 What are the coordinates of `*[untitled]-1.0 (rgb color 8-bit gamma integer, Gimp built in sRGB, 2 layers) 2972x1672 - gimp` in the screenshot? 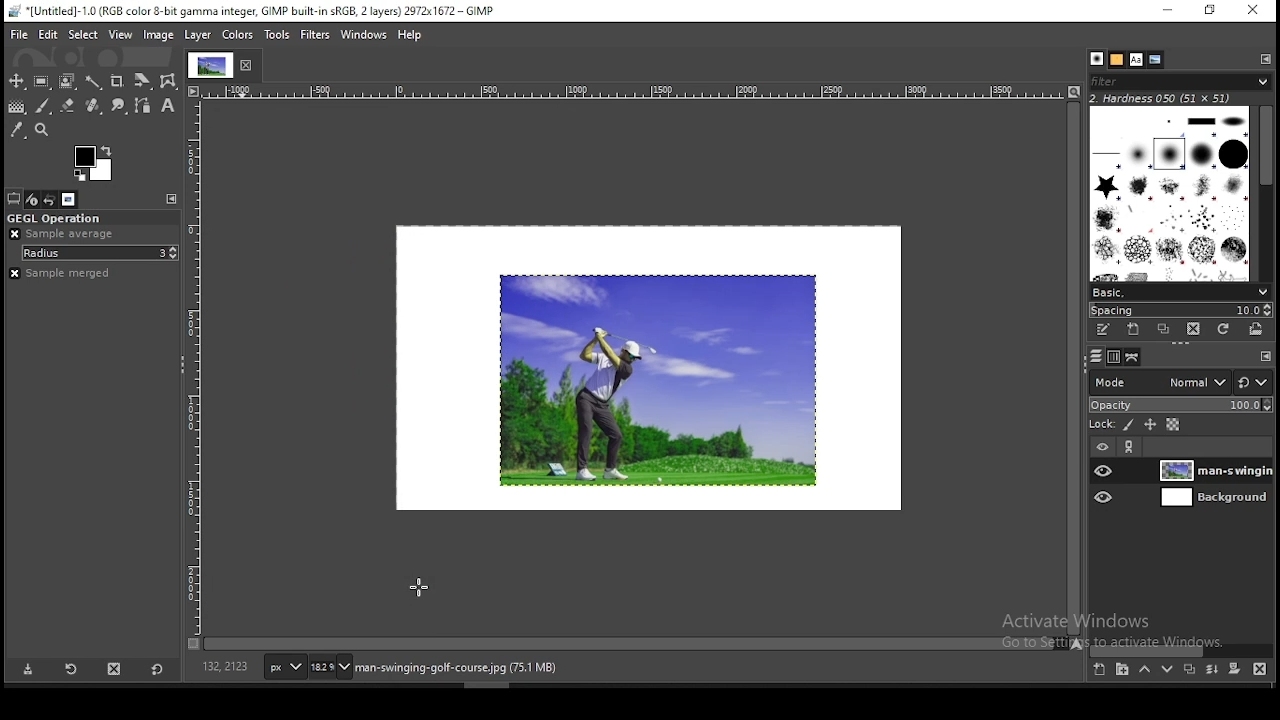 It's located at (252, 12).